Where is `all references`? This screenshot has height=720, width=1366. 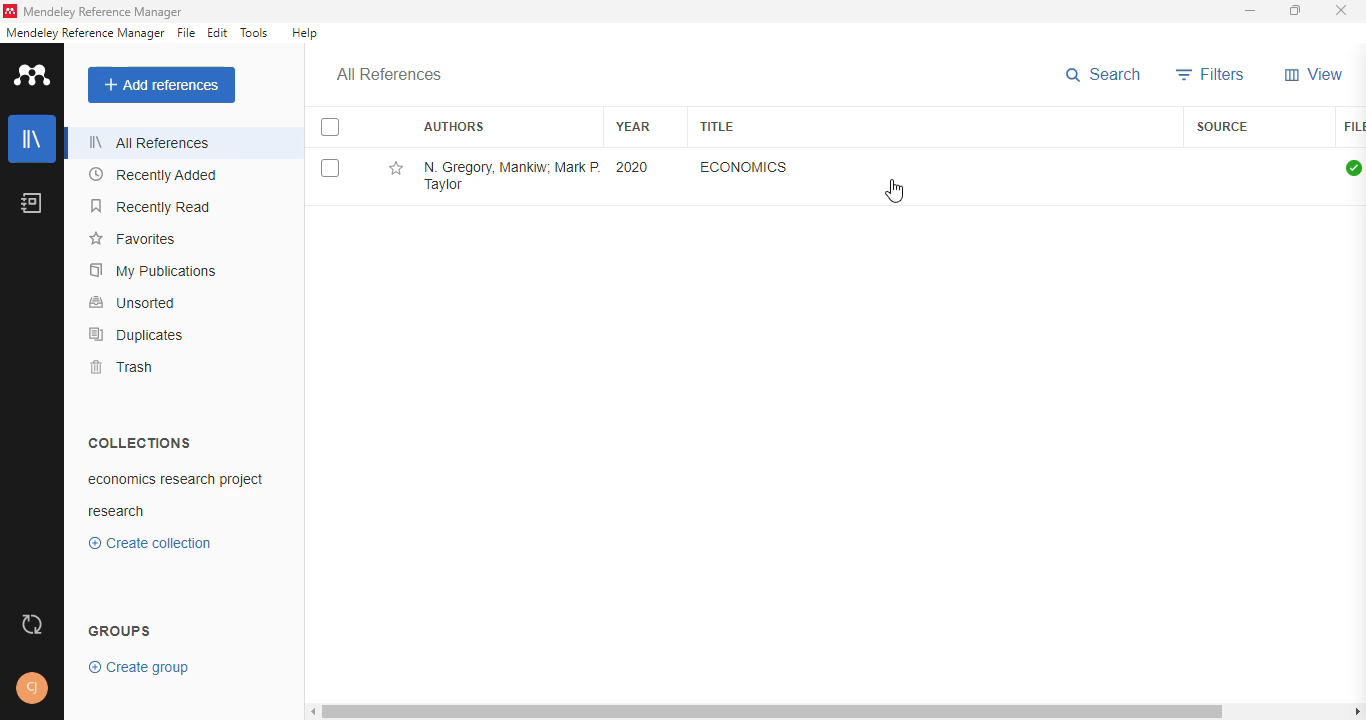 all references is located at coordinates (152, 142).